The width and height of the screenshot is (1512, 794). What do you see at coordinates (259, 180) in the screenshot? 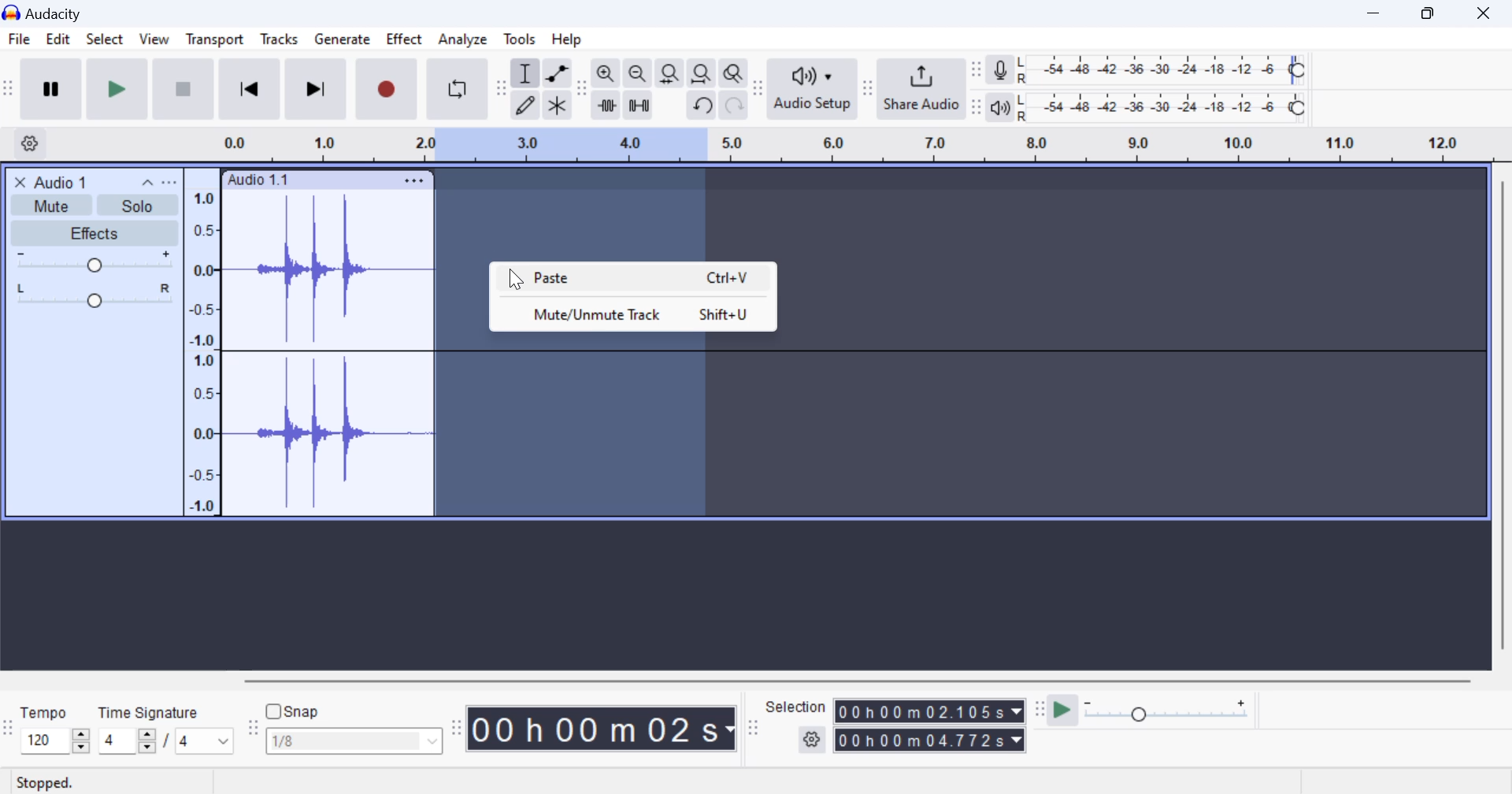
I see `Clip Label` at bounding box center [259, 180].